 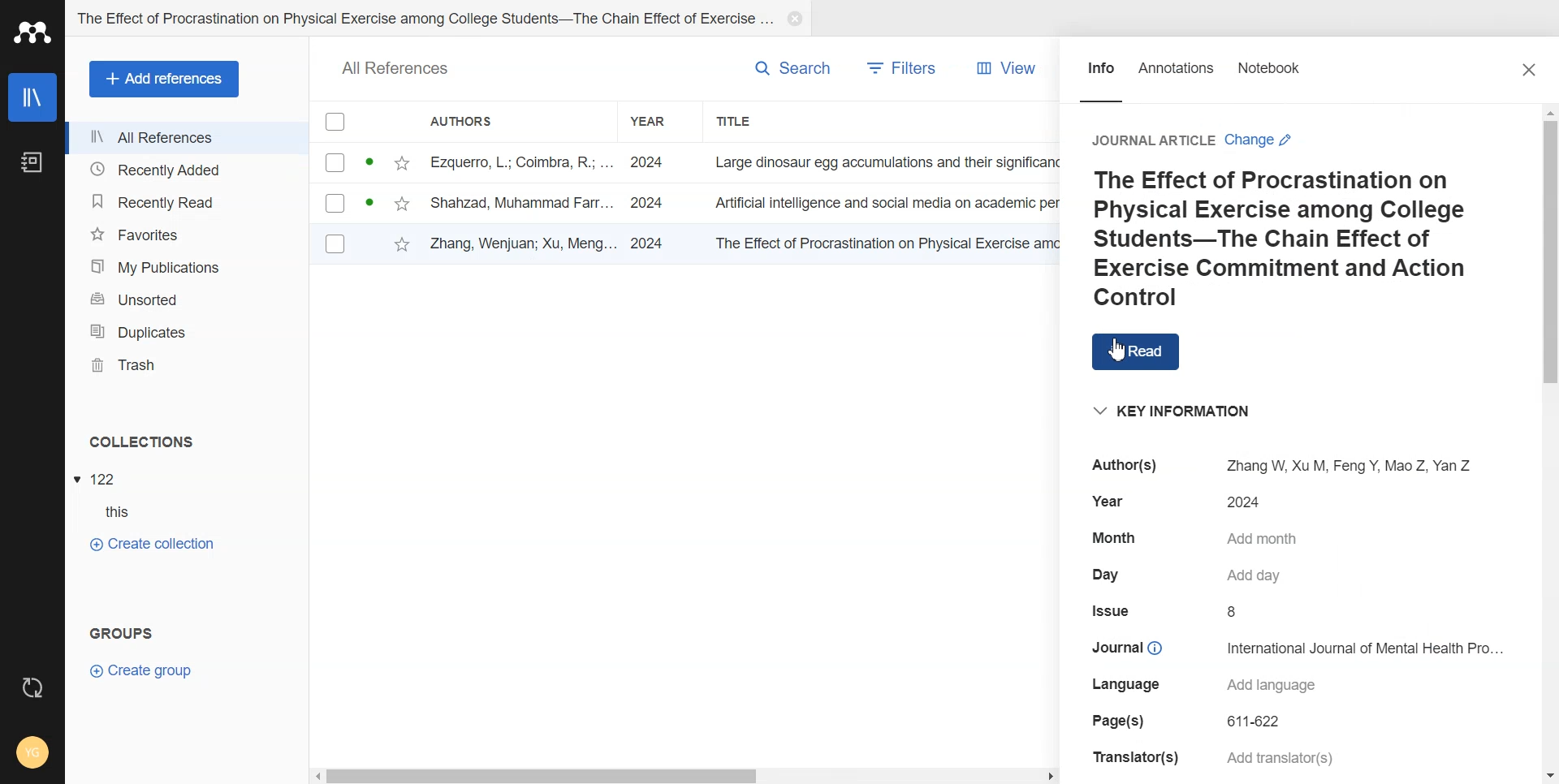 What do you see at coordinates (29, 748) in the screenshot?
I see `Account` at bounding box center [29, 748].